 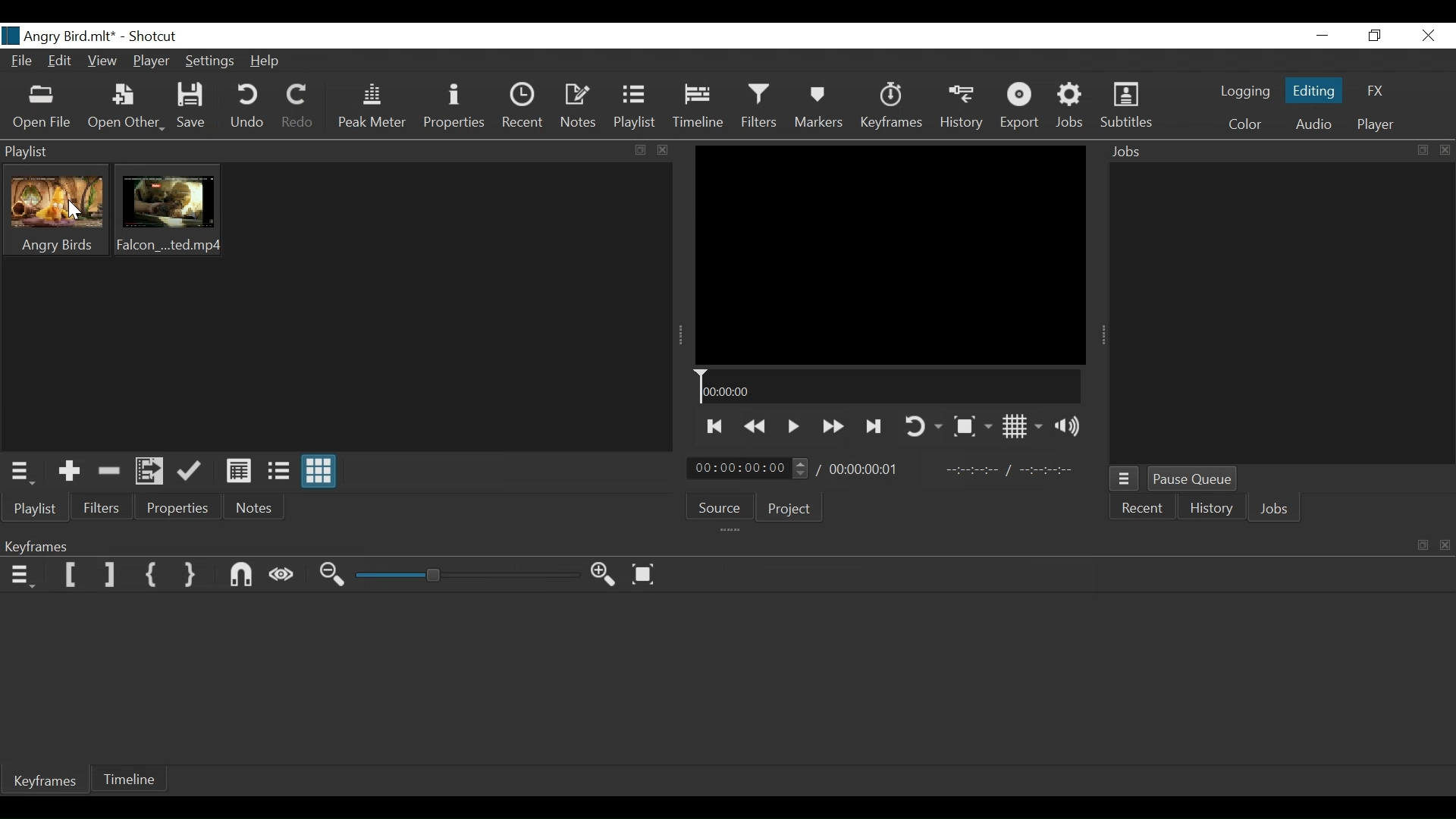 What do you see at coordinates (1021, 427) in the screenshot?
I see `Toggle display grid on player` at bounding box center [1021, 427].